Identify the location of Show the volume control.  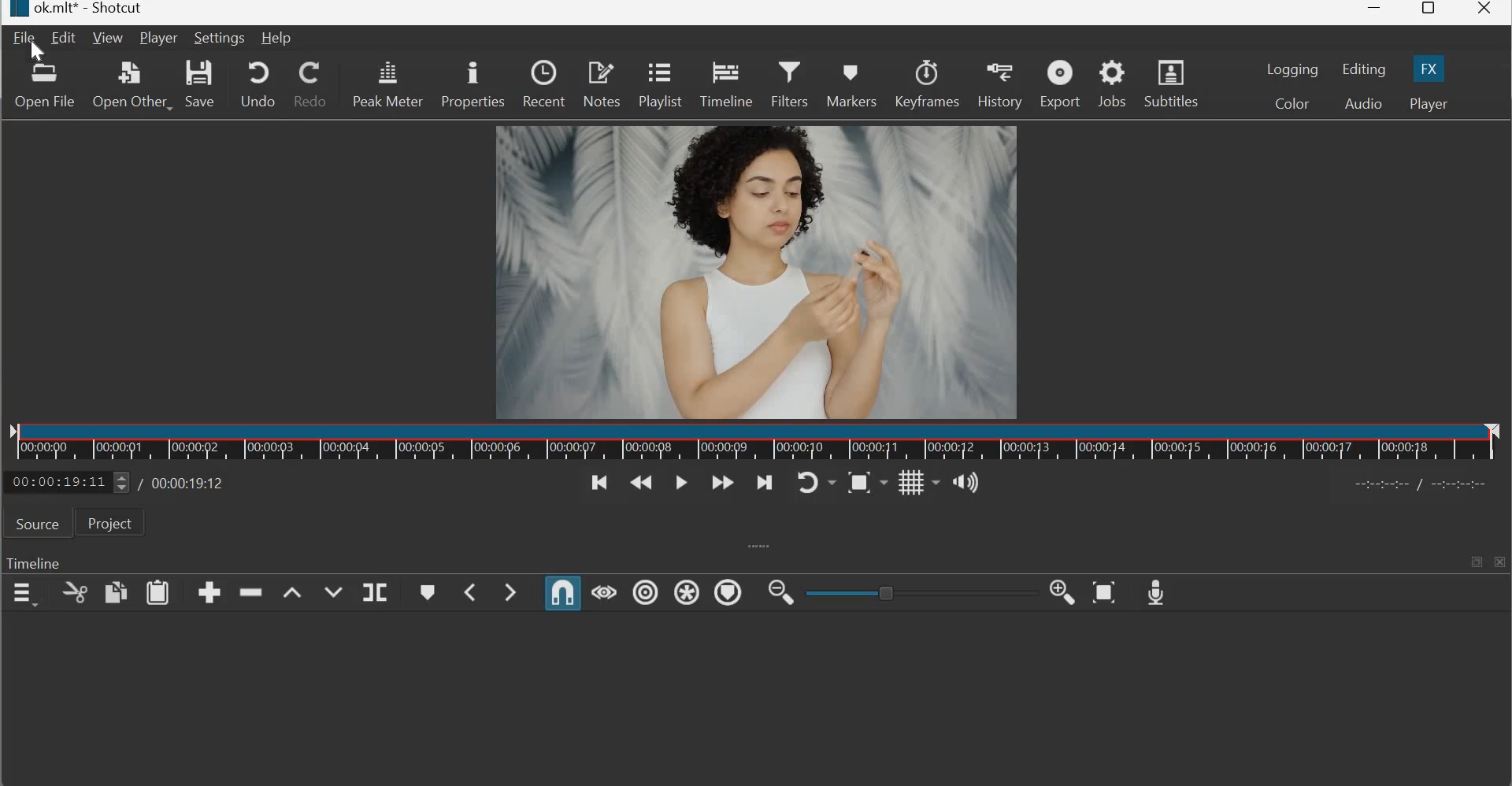
(965, 483).